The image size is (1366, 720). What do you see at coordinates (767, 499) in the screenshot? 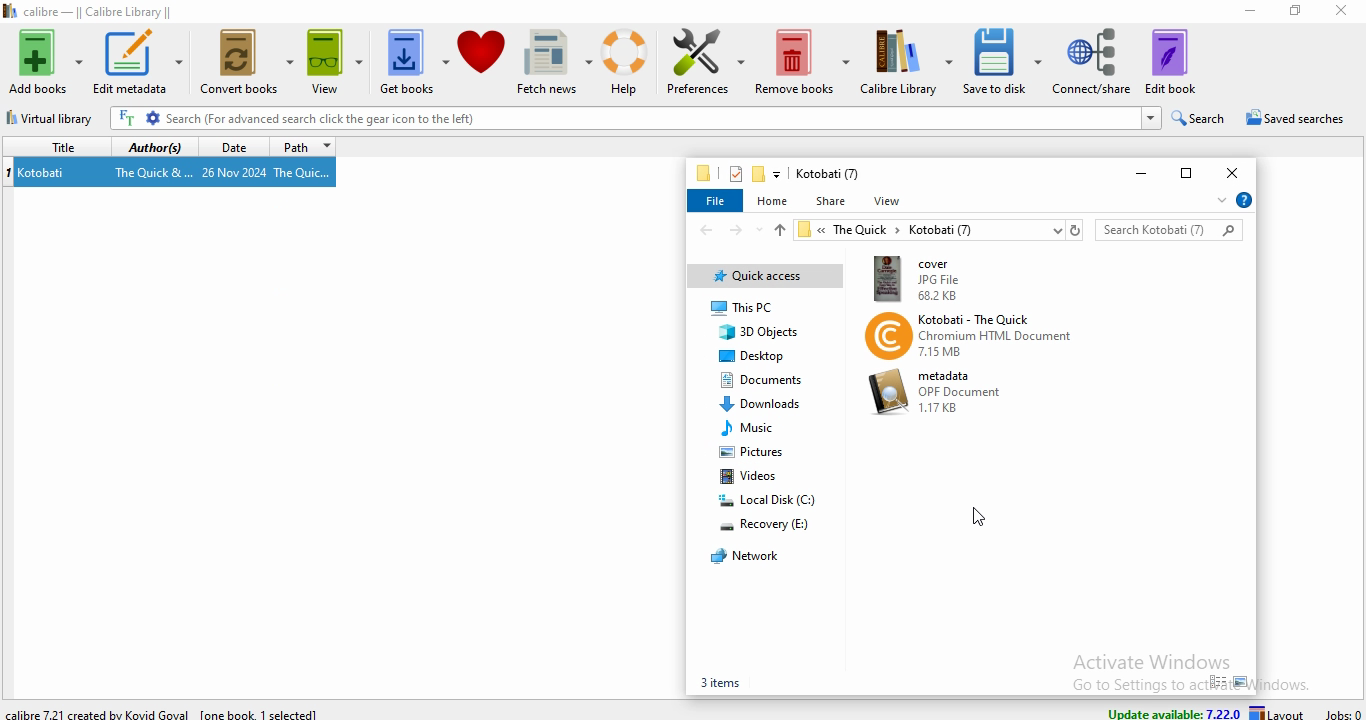
I see `local disk (C:)` at bounding box center [767, 499].